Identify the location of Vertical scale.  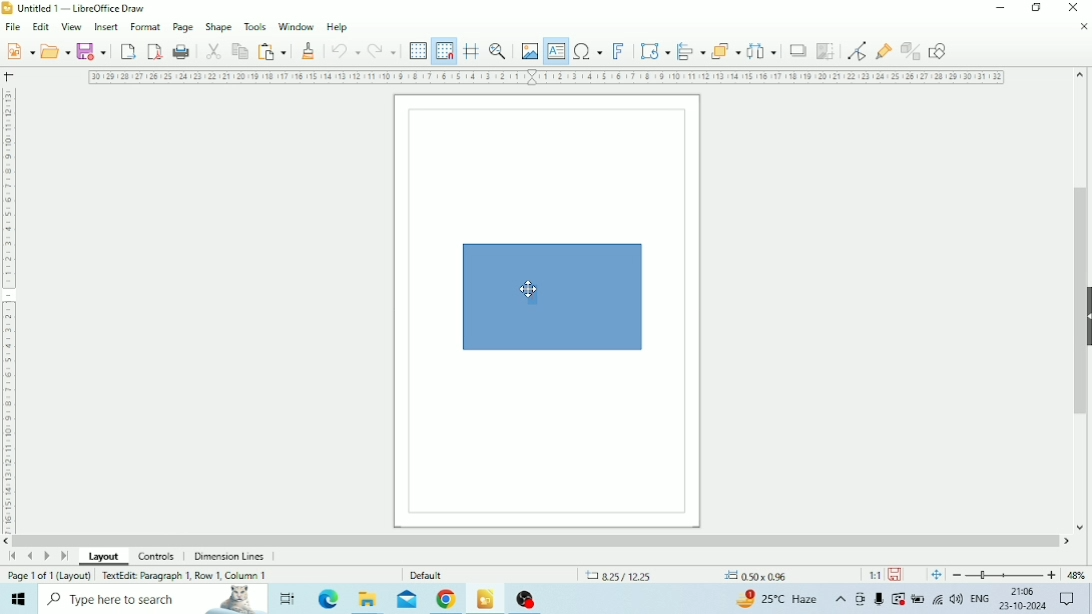
(8, 307).